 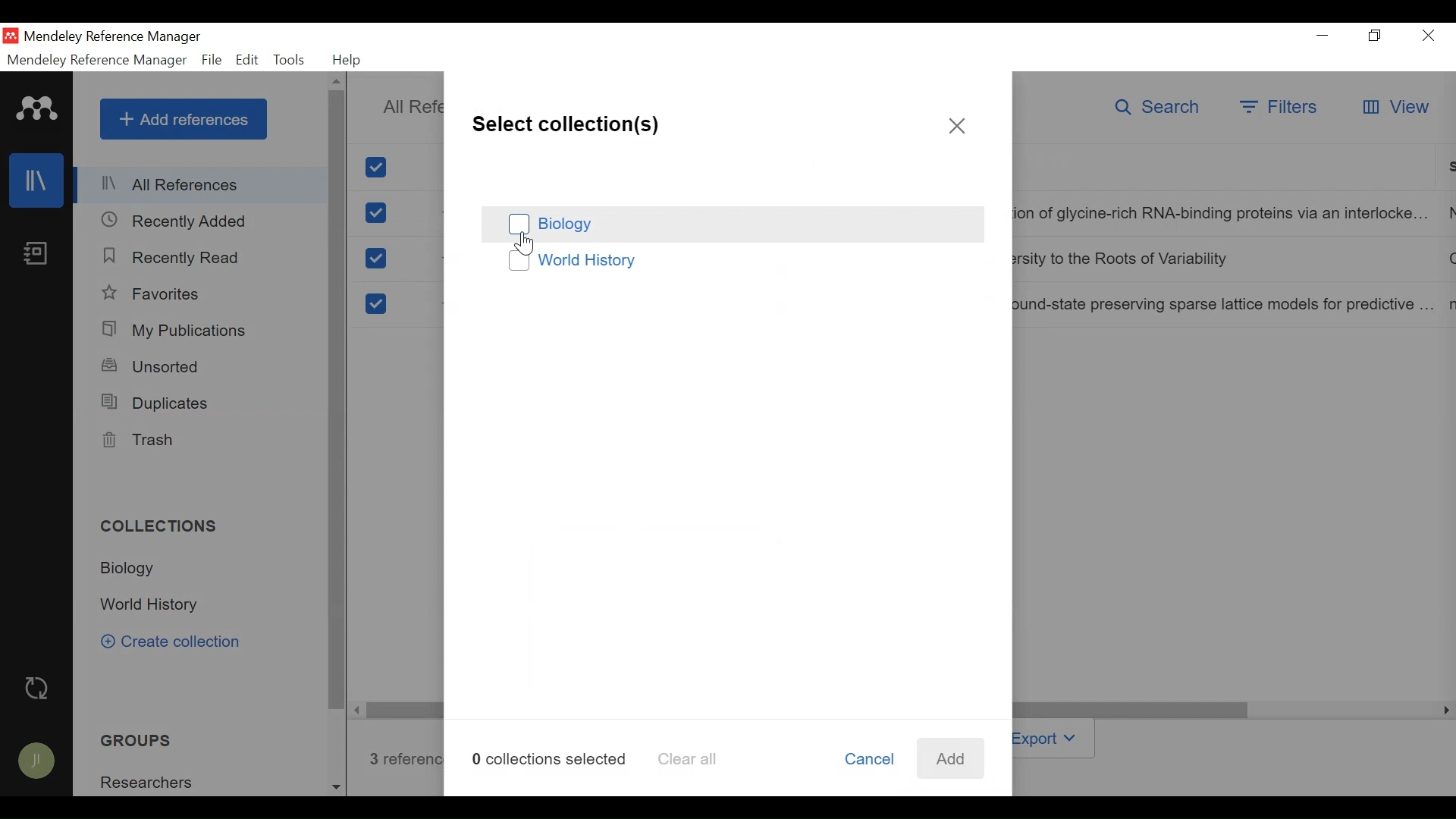 What do you see at coordinates (156, 403) in the screenshot?
I see `Duplicates` at bounding box center [156, 403].